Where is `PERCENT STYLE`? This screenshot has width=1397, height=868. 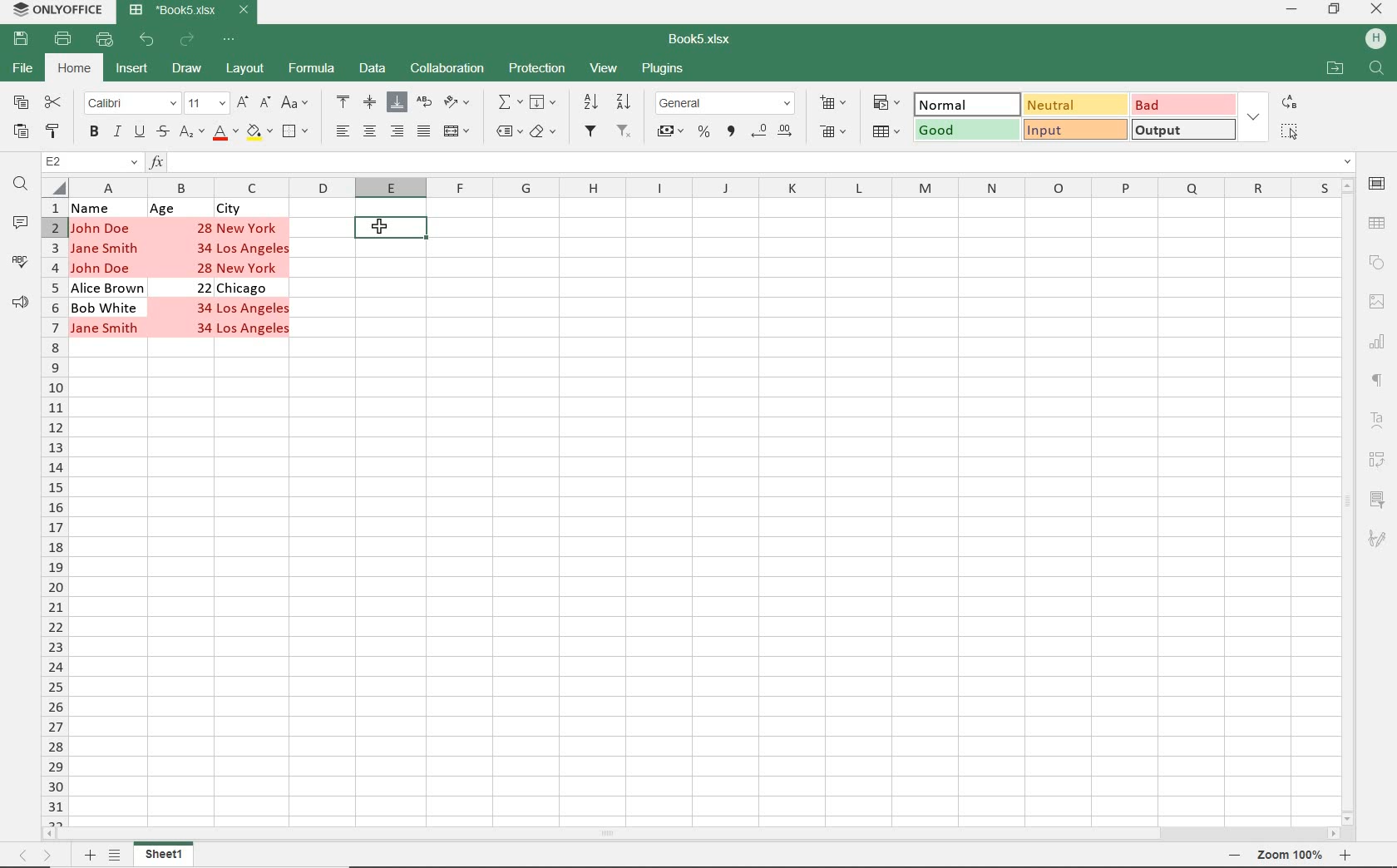
PERCENT STYLE is located at coordinates (705, 134).